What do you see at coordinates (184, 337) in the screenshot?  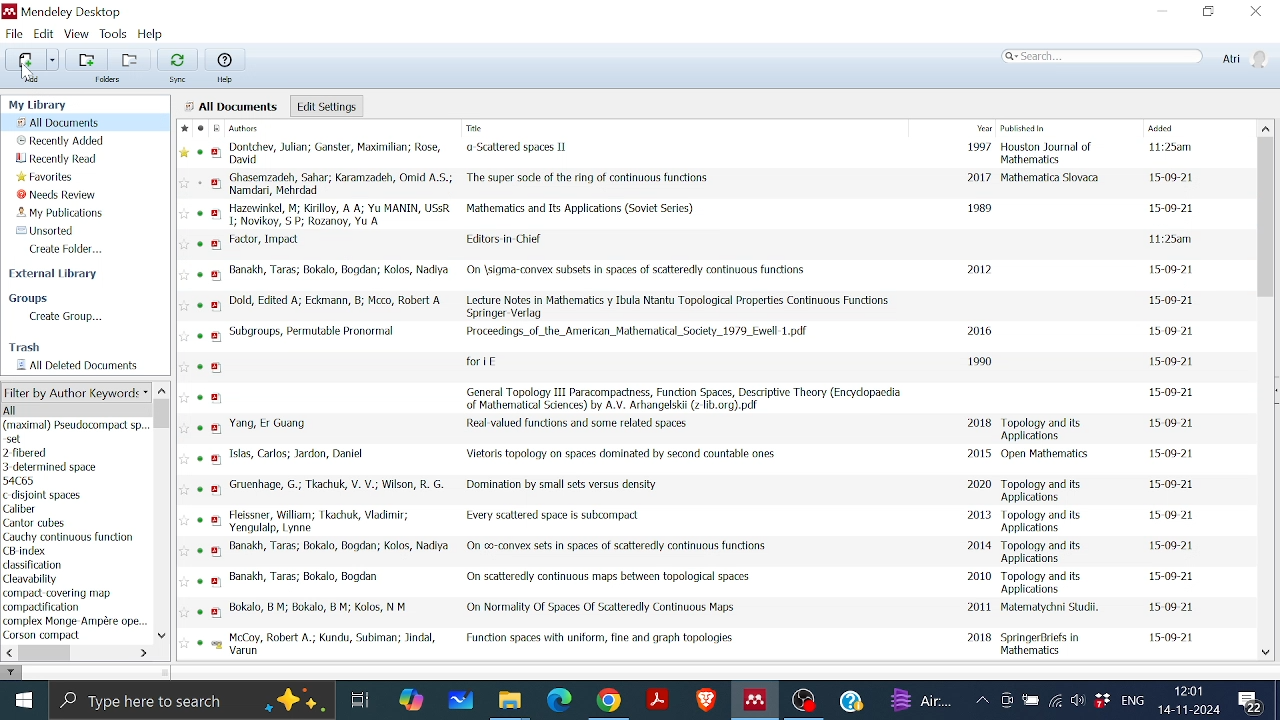 I see `favourite` at bounding box center [184, 337].